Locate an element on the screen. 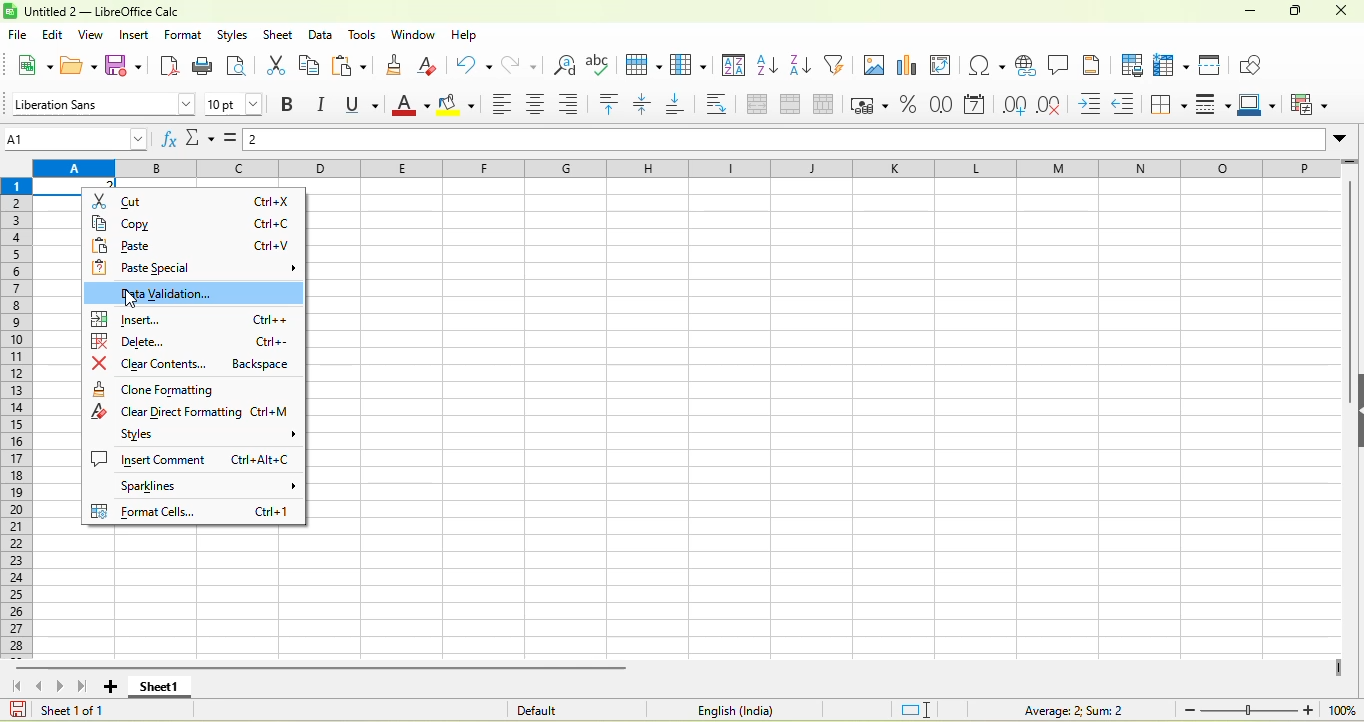  merge is located at coordinates (796, 106).